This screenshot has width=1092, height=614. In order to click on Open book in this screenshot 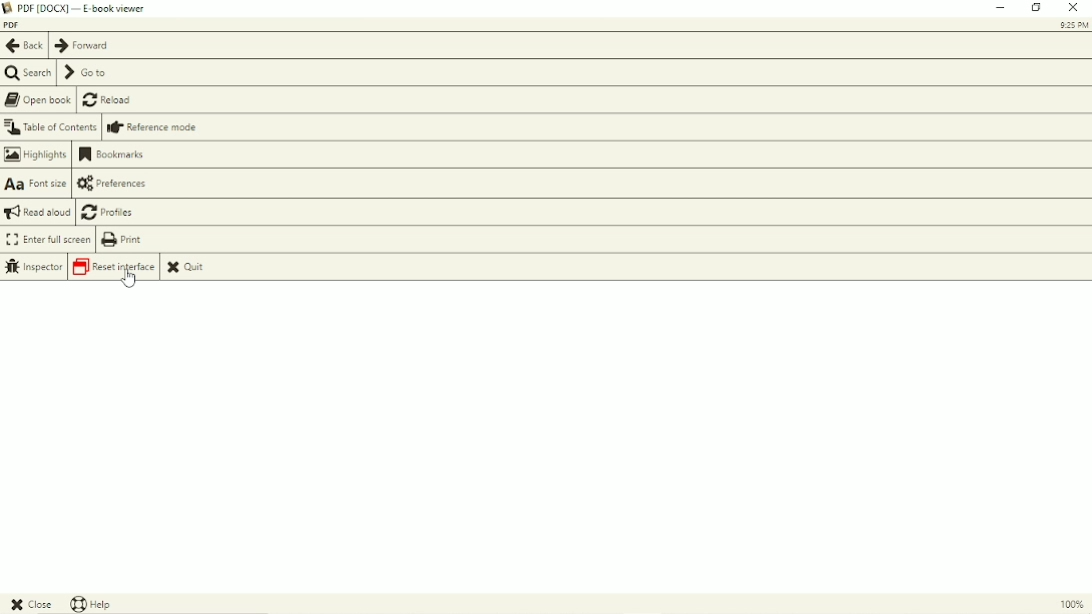, I will do `click(38, 100)`.